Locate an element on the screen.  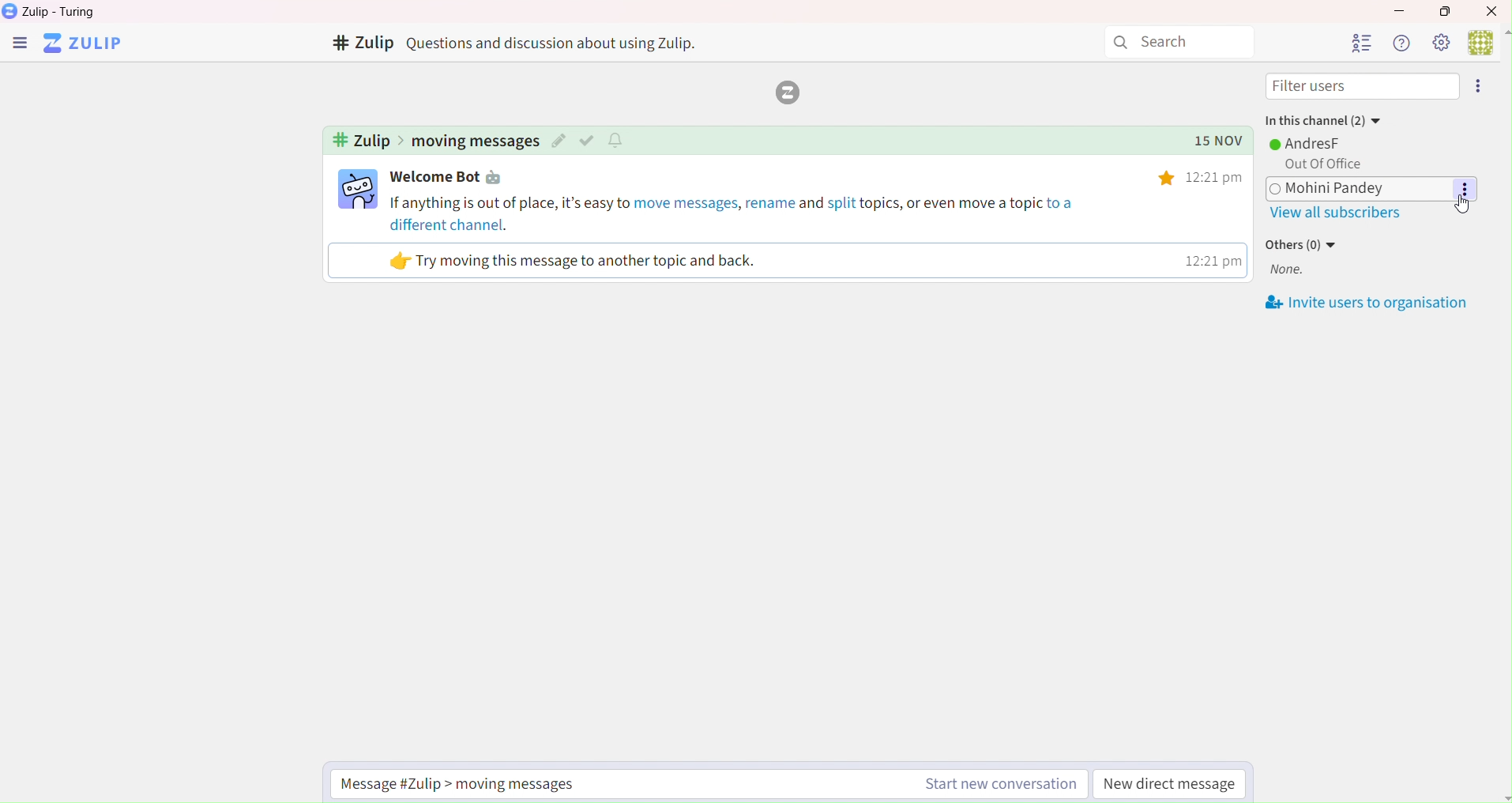
AndresF is located at coordinates (1308, 143).